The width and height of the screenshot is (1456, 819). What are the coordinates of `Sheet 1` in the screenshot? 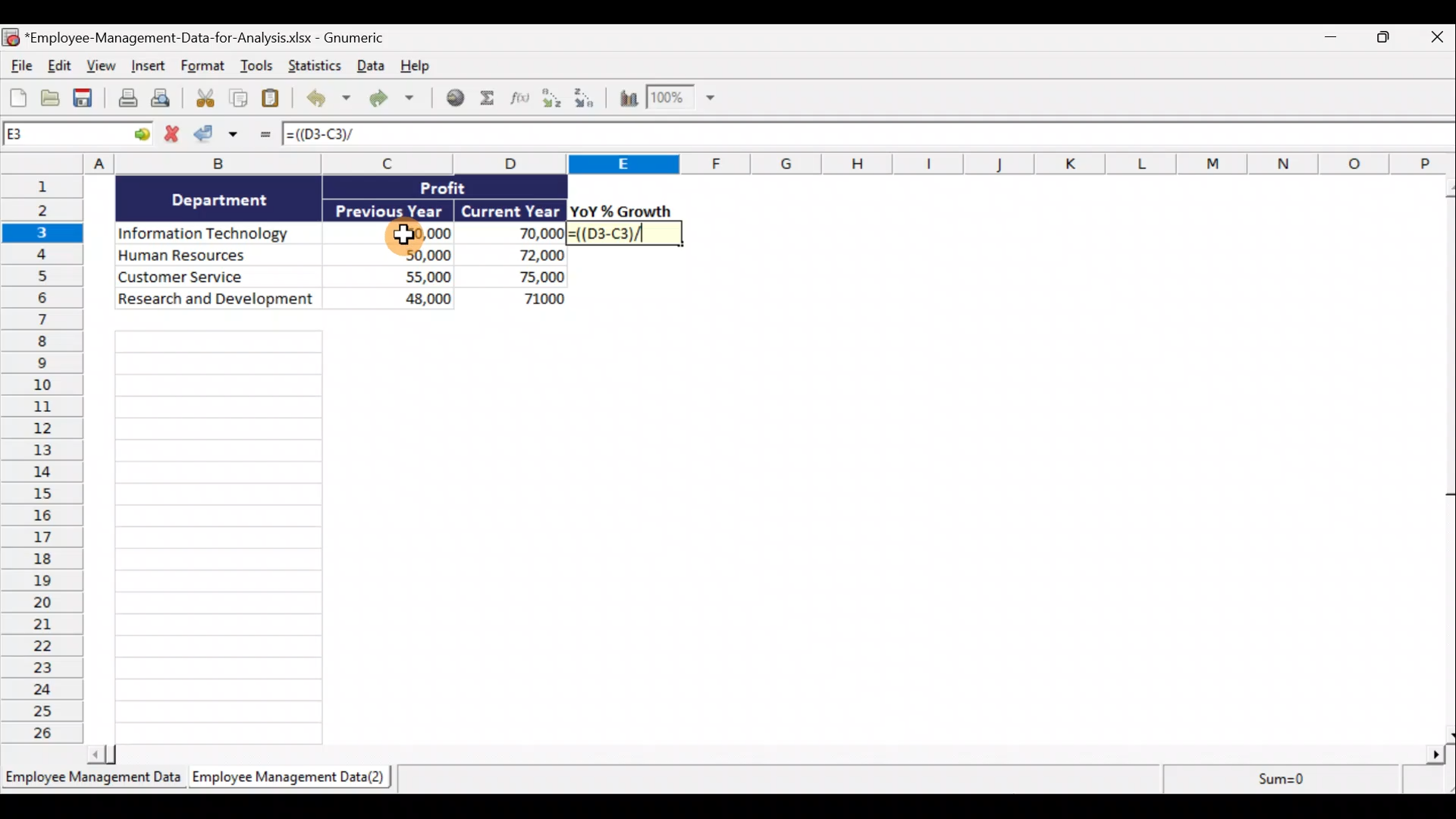 It's located at (91, 778).